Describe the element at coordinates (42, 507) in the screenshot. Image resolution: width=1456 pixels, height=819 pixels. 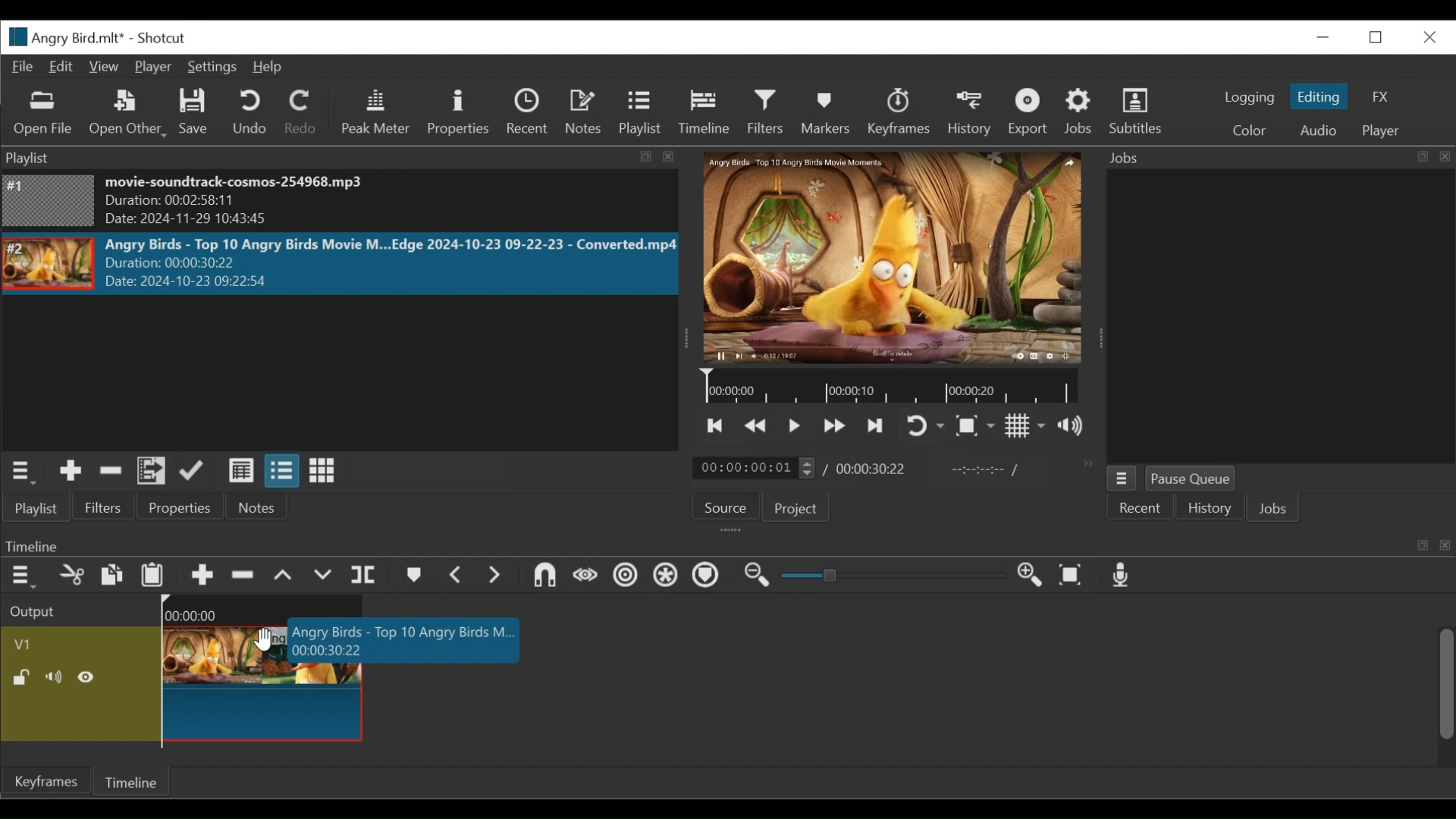
I see `Playlist` at that location.